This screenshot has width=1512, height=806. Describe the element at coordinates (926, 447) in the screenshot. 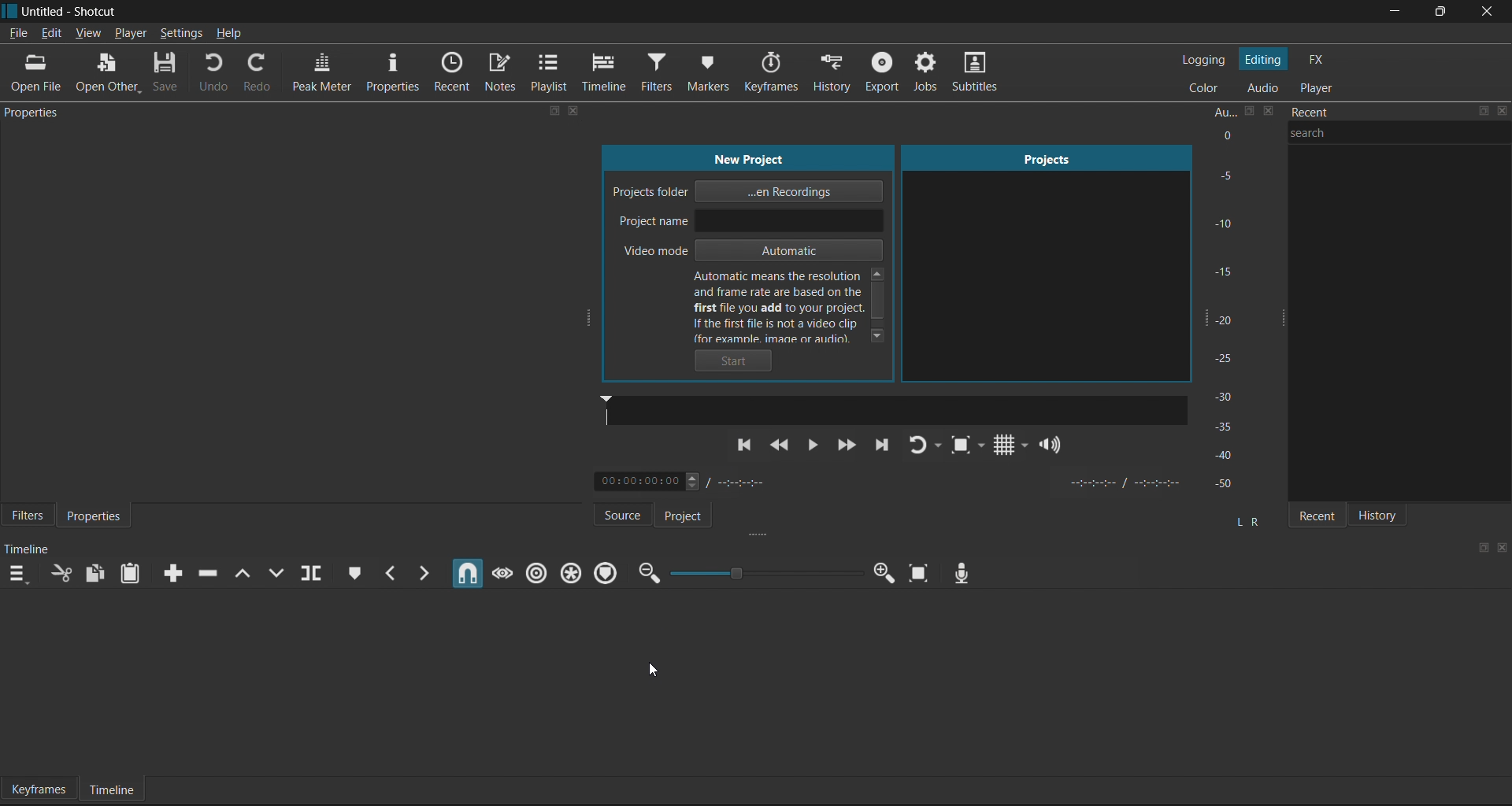

I see `Player Looping` at that location.